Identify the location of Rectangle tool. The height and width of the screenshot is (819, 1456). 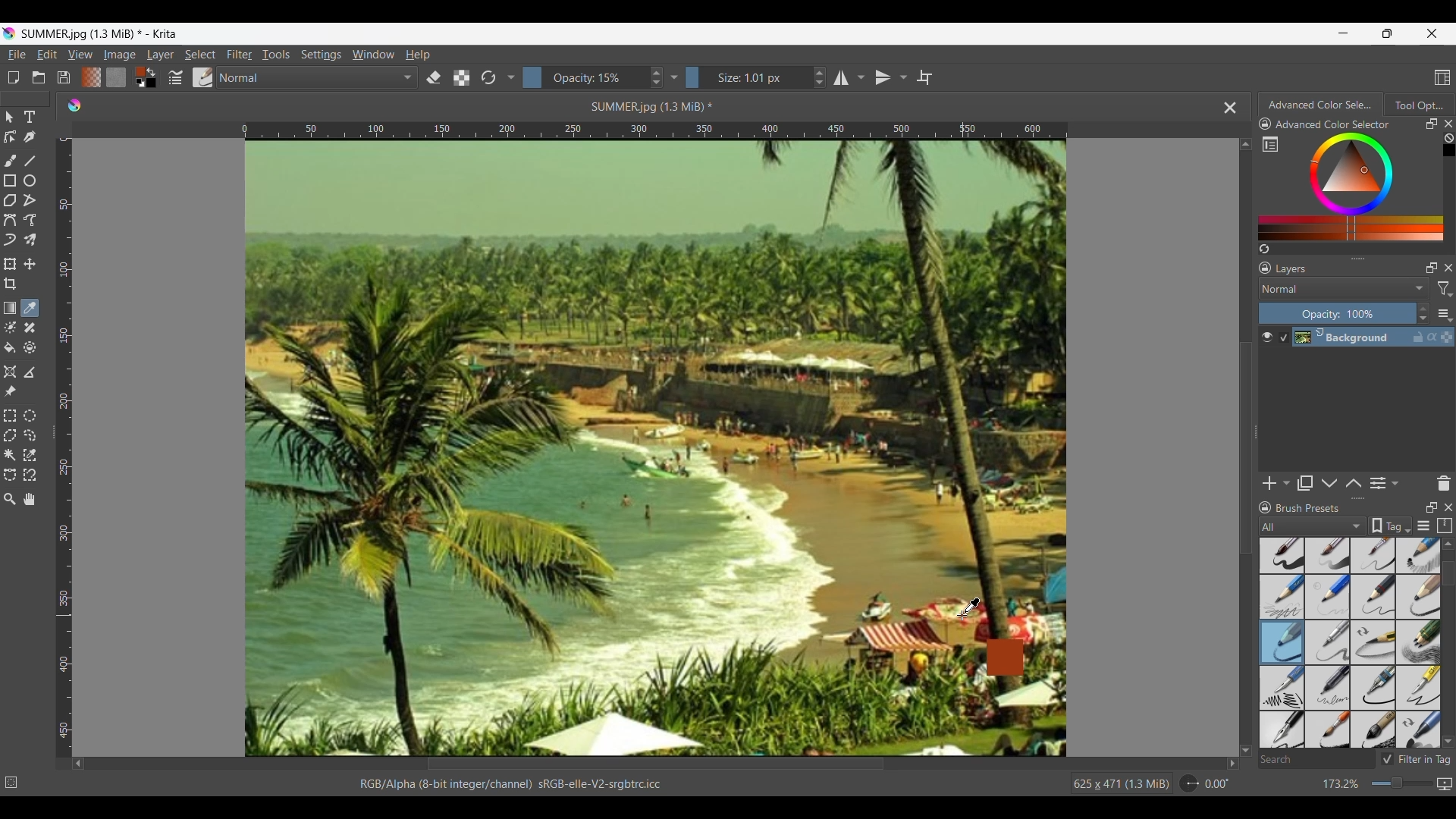
(11, 180).